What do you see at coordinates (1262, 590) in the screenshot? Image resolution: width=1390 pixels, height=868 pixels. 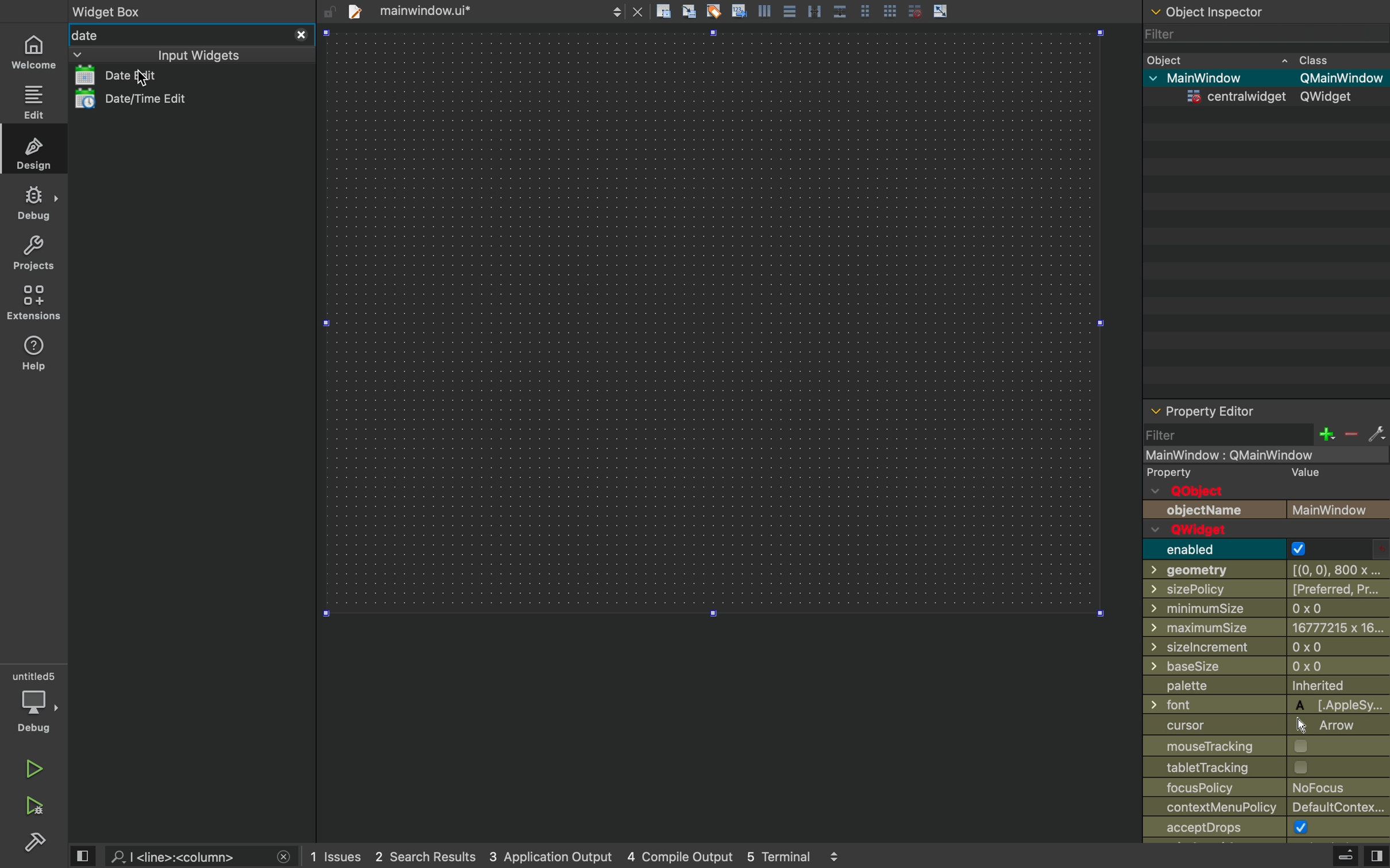 I see `sizepolicy` at bounding box center [1262, 590].